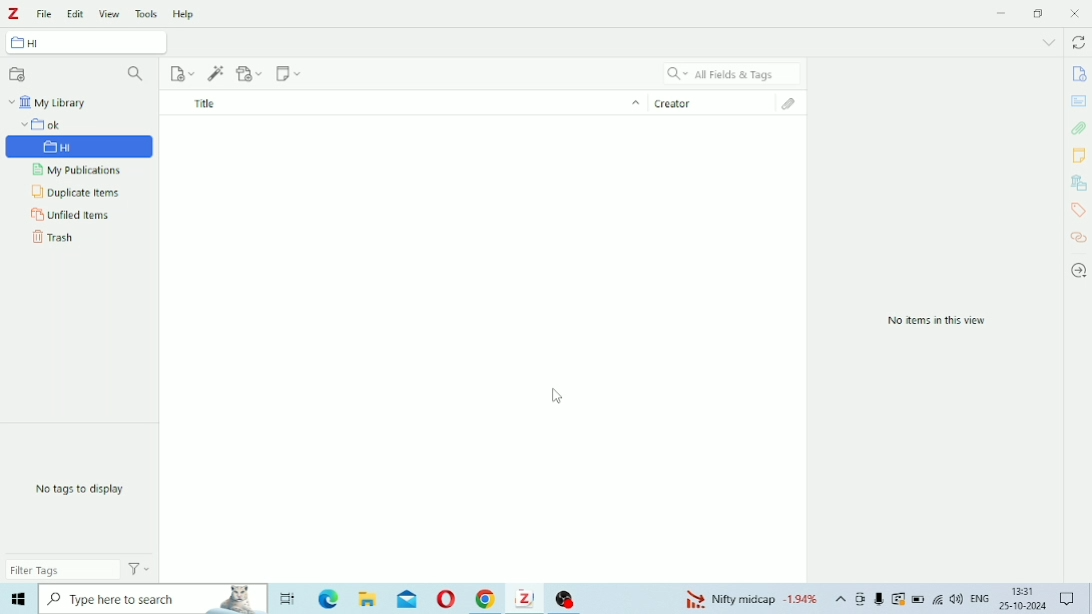 The height and width of the screenshot is (614, 1092). What do you see at coordinates (251, 73) in the screenshot?
I see `Add Attachment` at bounding box center [251, 73].